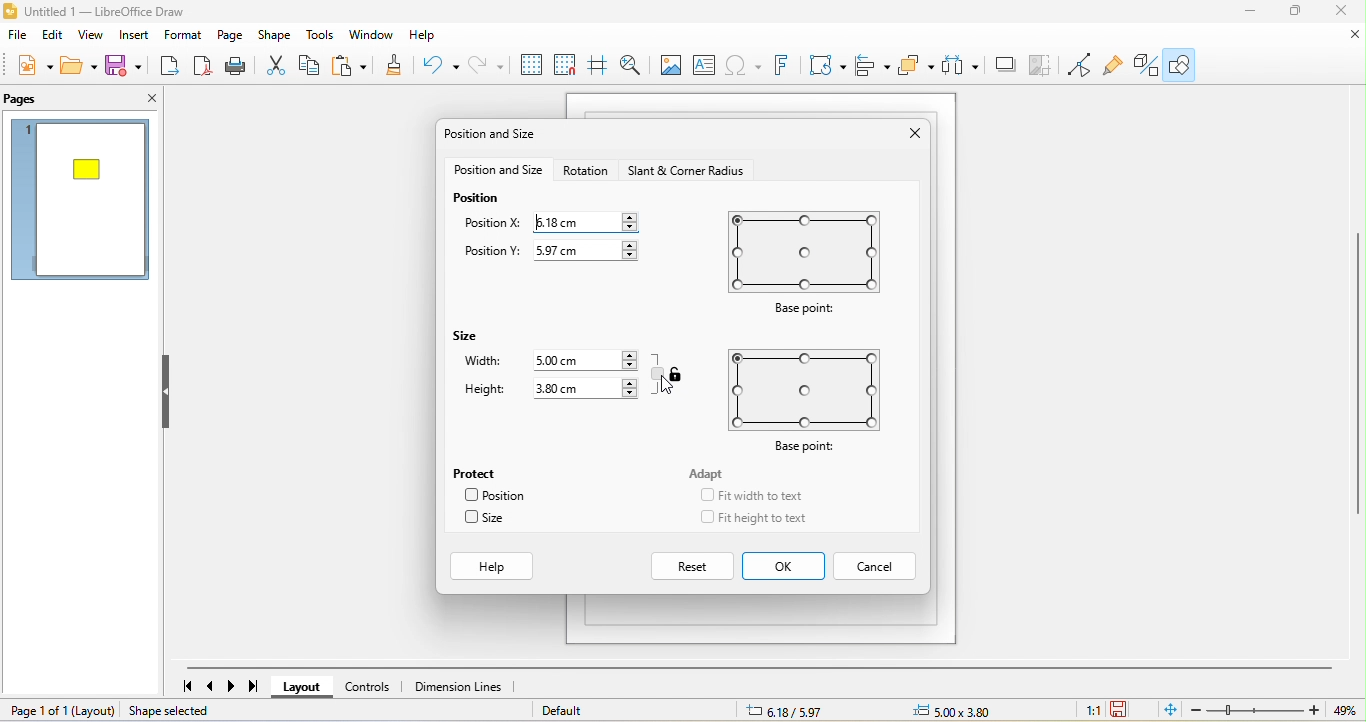 Image resolution: width=1366 pixels, height=722 pixels. I want to click on pags, so click(26, 100).